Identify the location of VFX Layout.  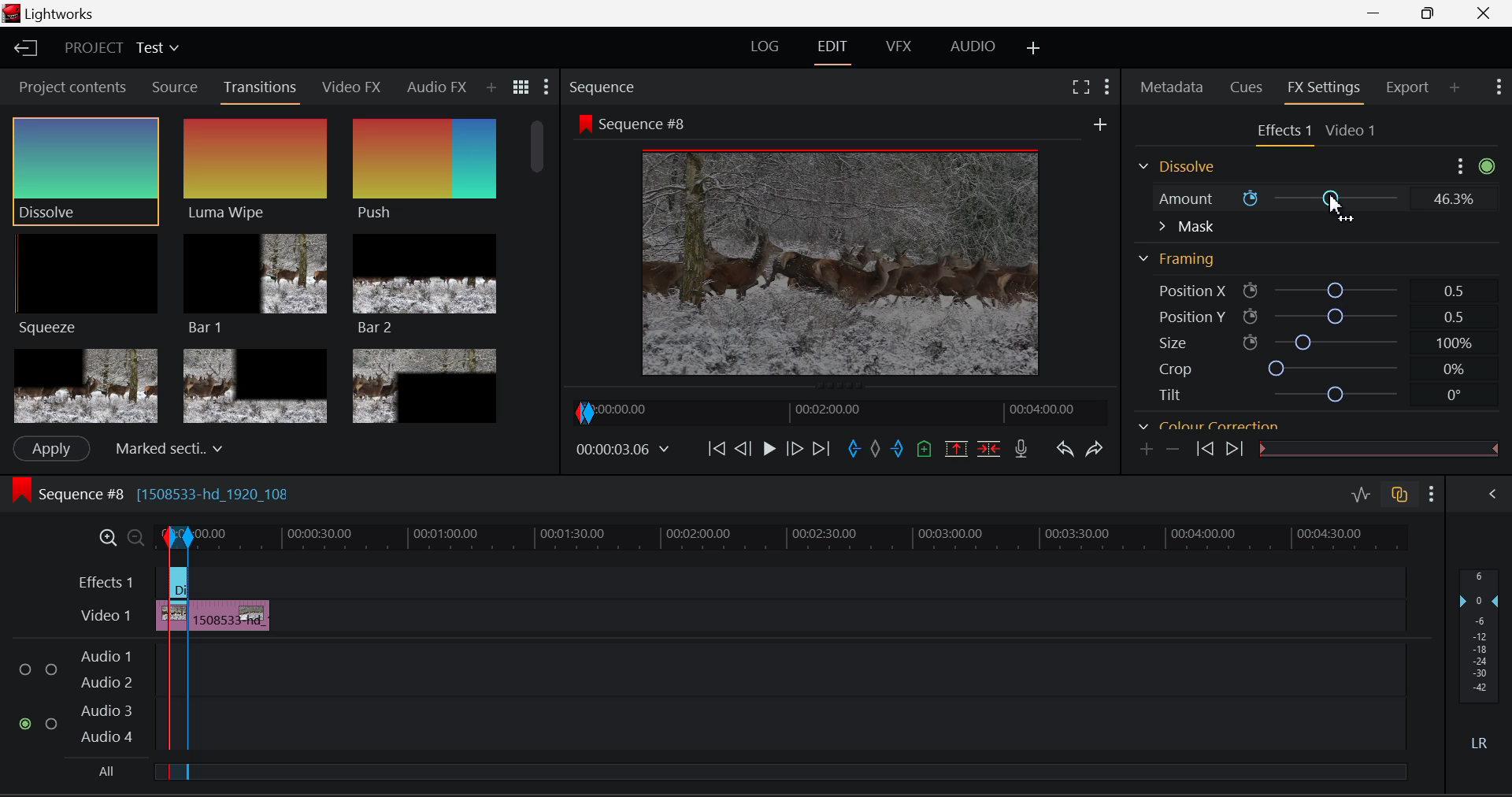
(902, 48).